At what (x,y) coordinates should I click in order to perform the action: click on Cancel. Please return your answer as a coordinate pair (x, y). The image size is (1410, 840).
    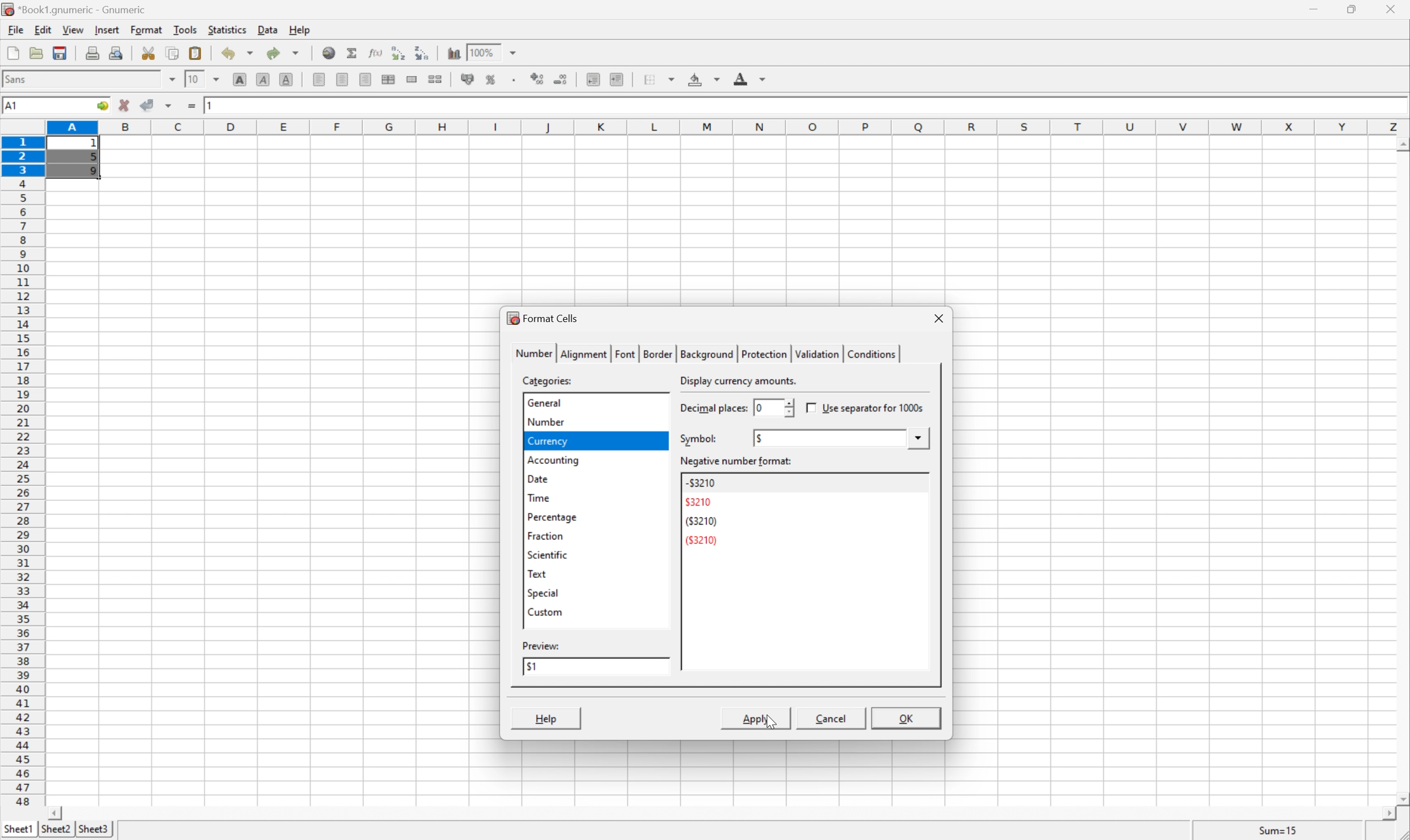
    Looking at the image, I should click on (830, 717).